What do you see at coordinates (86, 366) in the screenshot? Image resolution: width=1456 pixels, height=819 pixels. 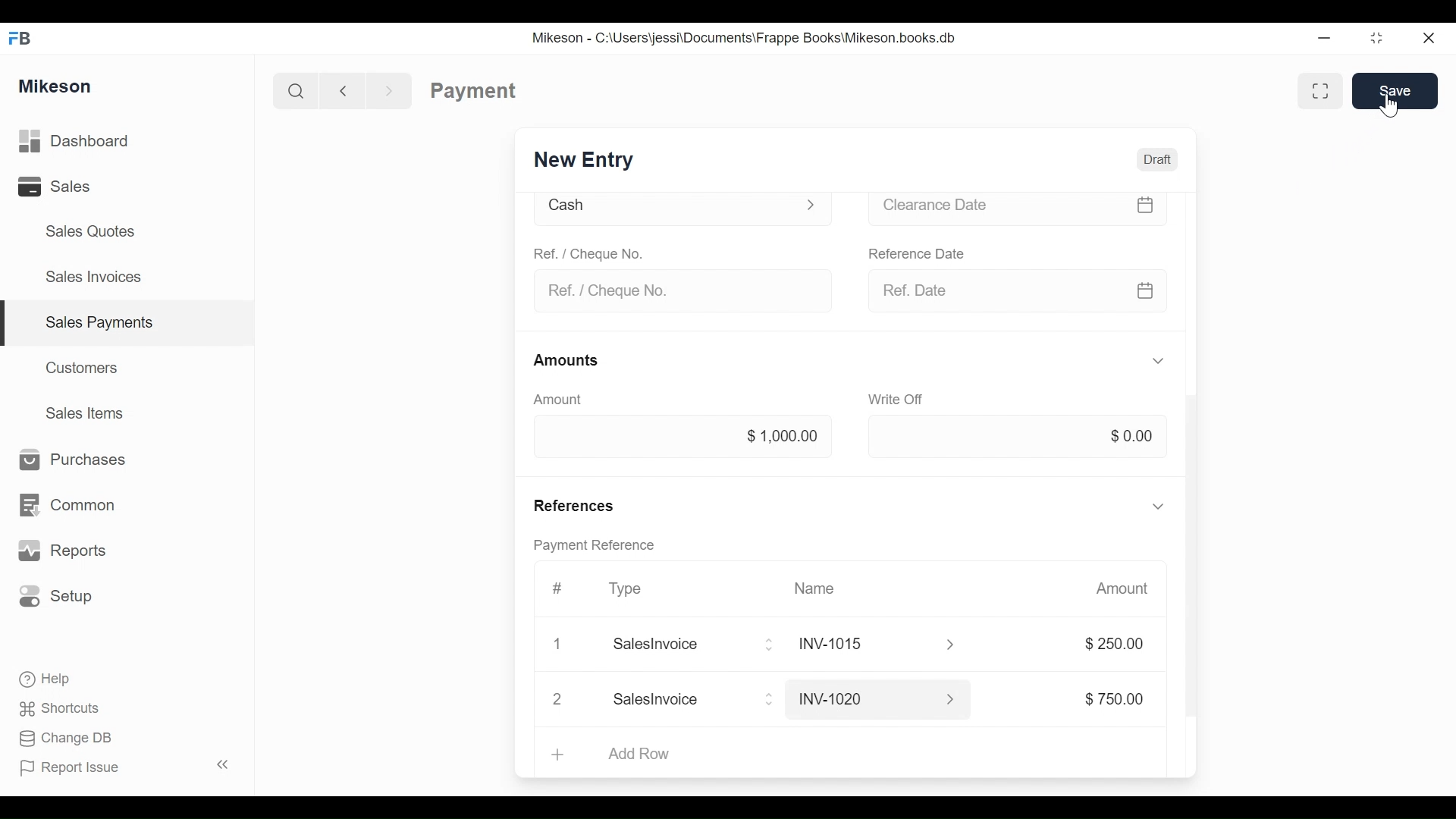 I see `Customers` at bounding box center [86, 366].